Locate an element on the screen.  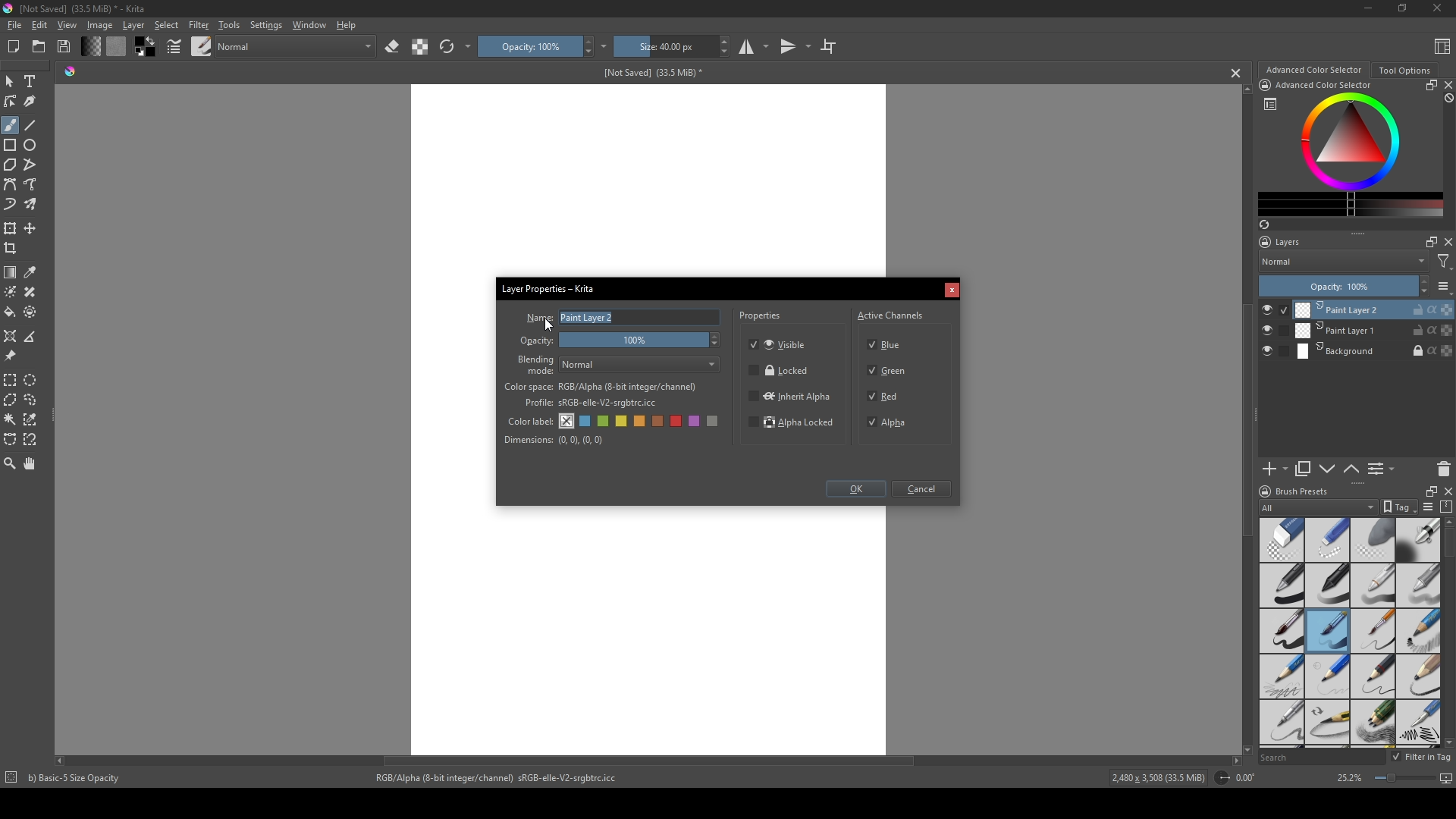
Help is located at coordinates (347, 24).